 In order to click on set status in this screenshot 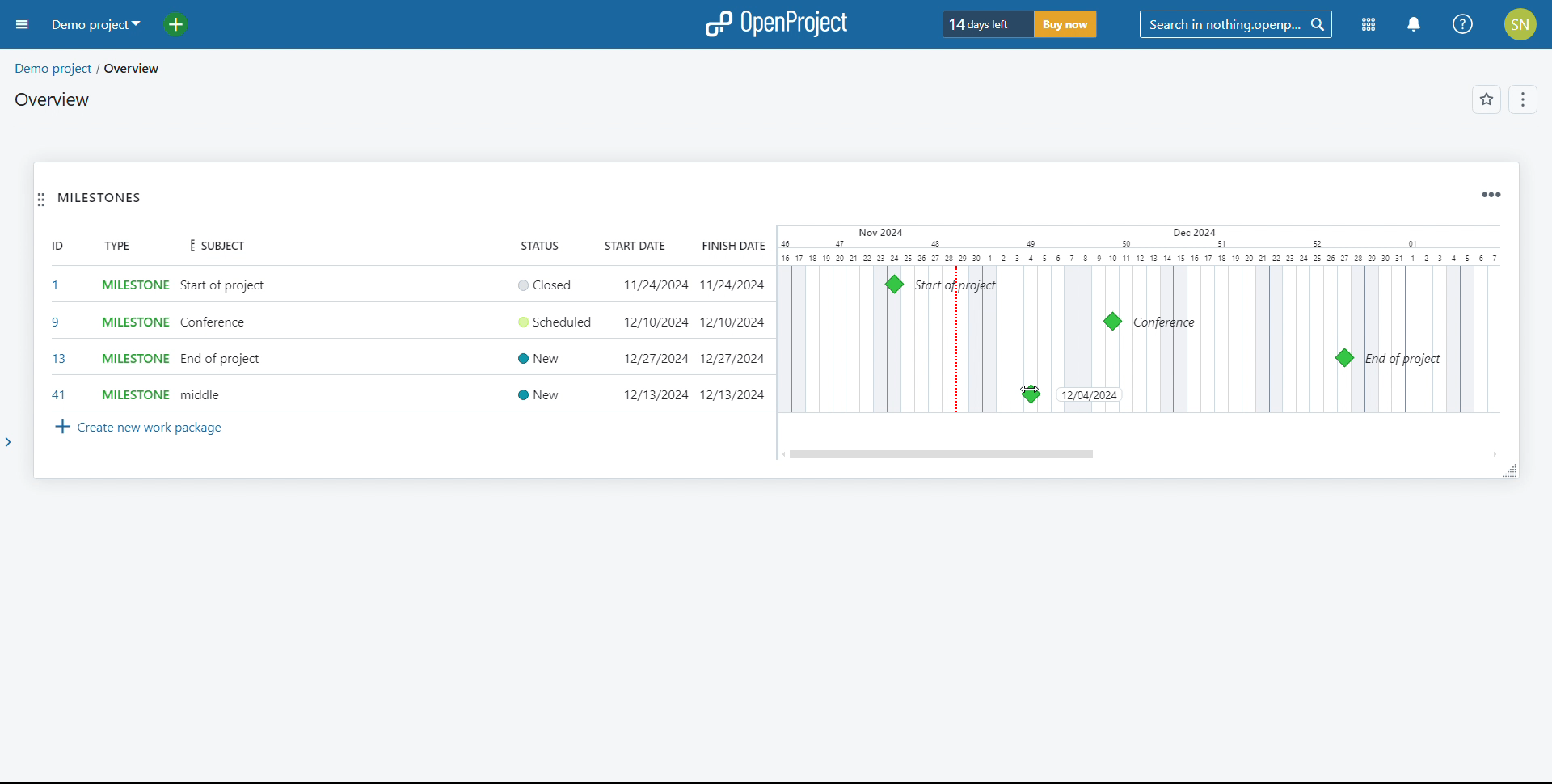, I will do `click(550, 340)`.